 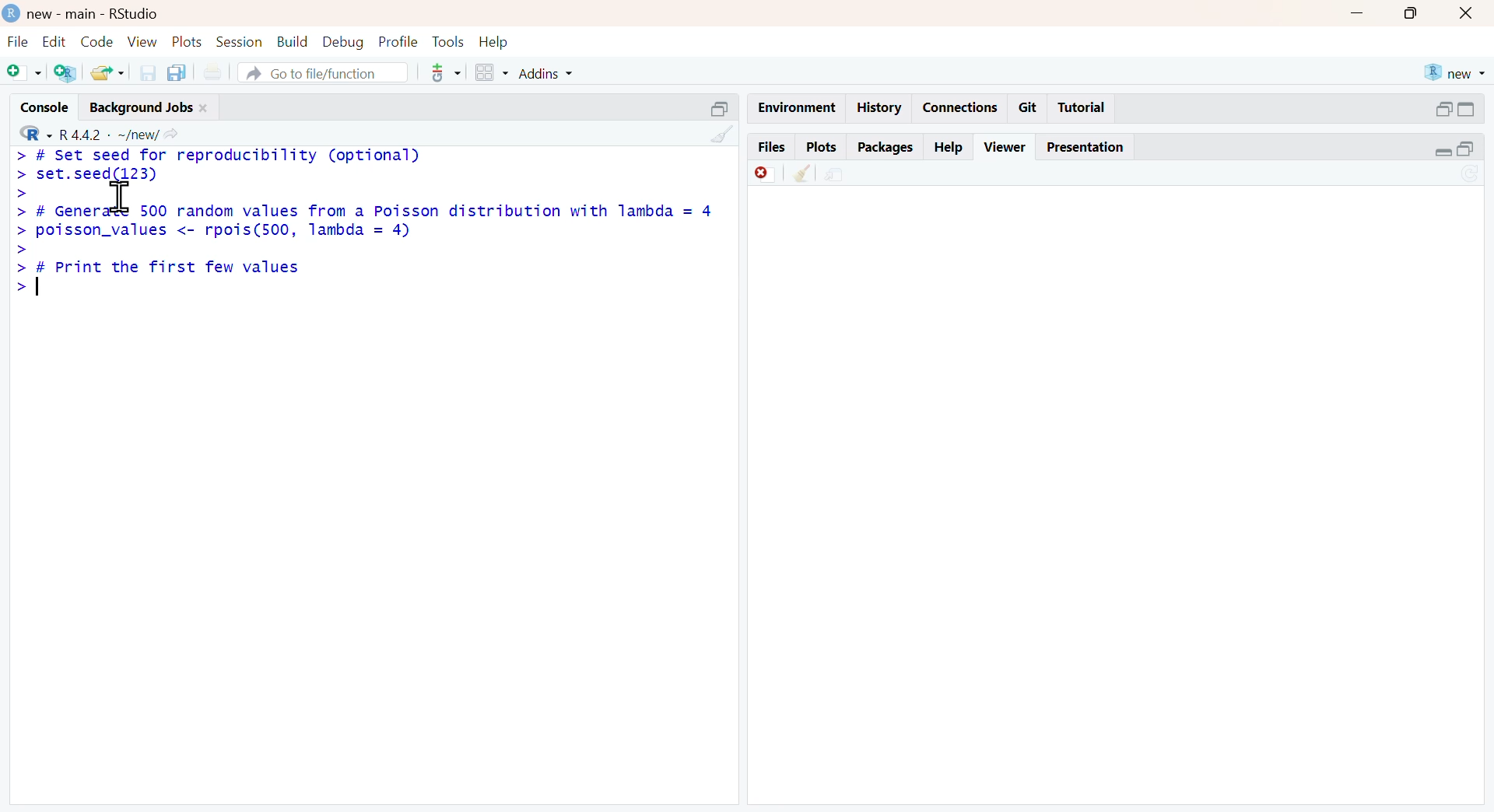 What do you see at coordinates (54, 40) in the screenshot?
I see `edit` at bounding box center [54, 40].